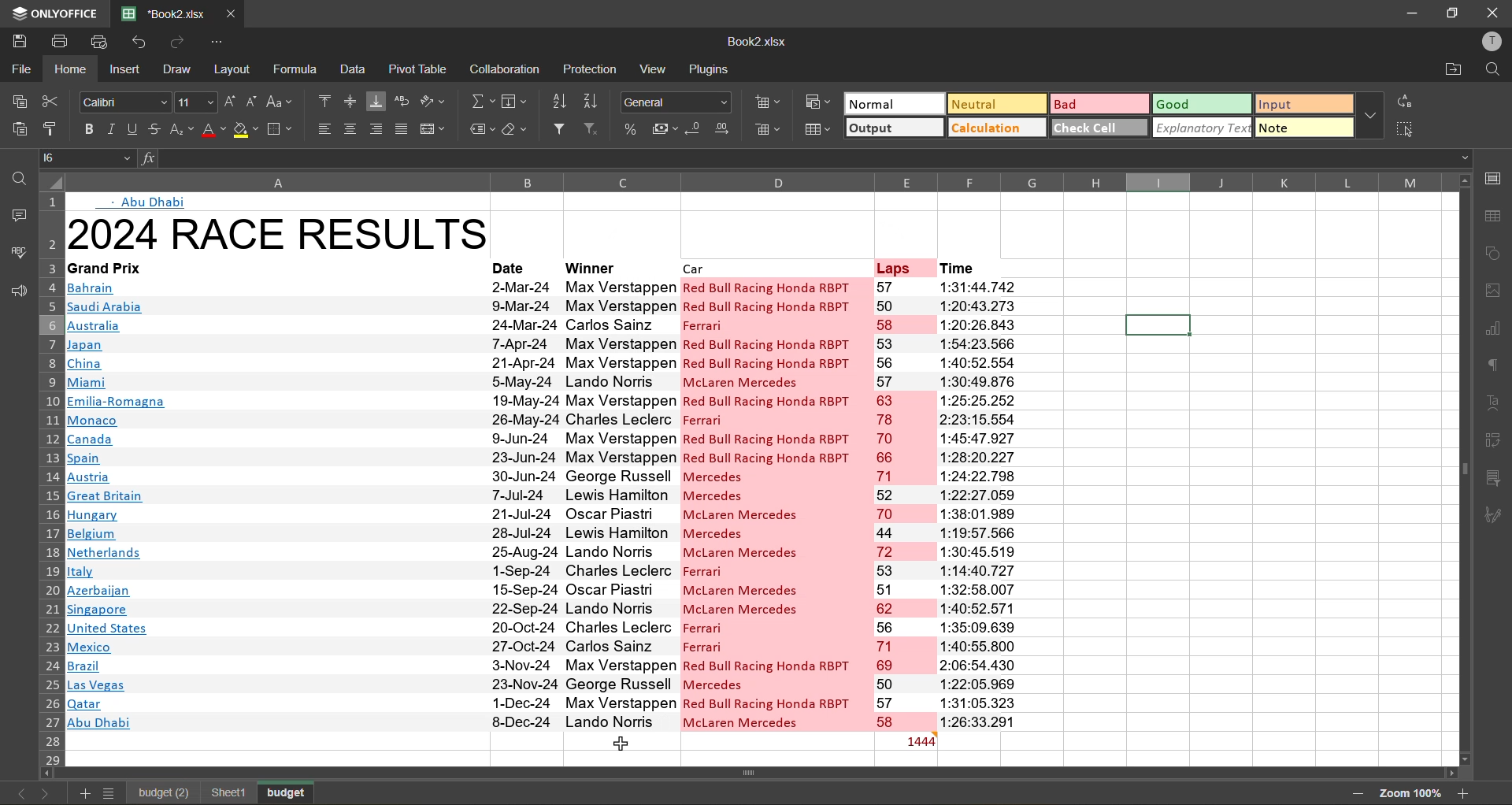  What do you see at coordinates (590, 70) in the screenshot?
I see `protection` at bounding box center [590, 70].